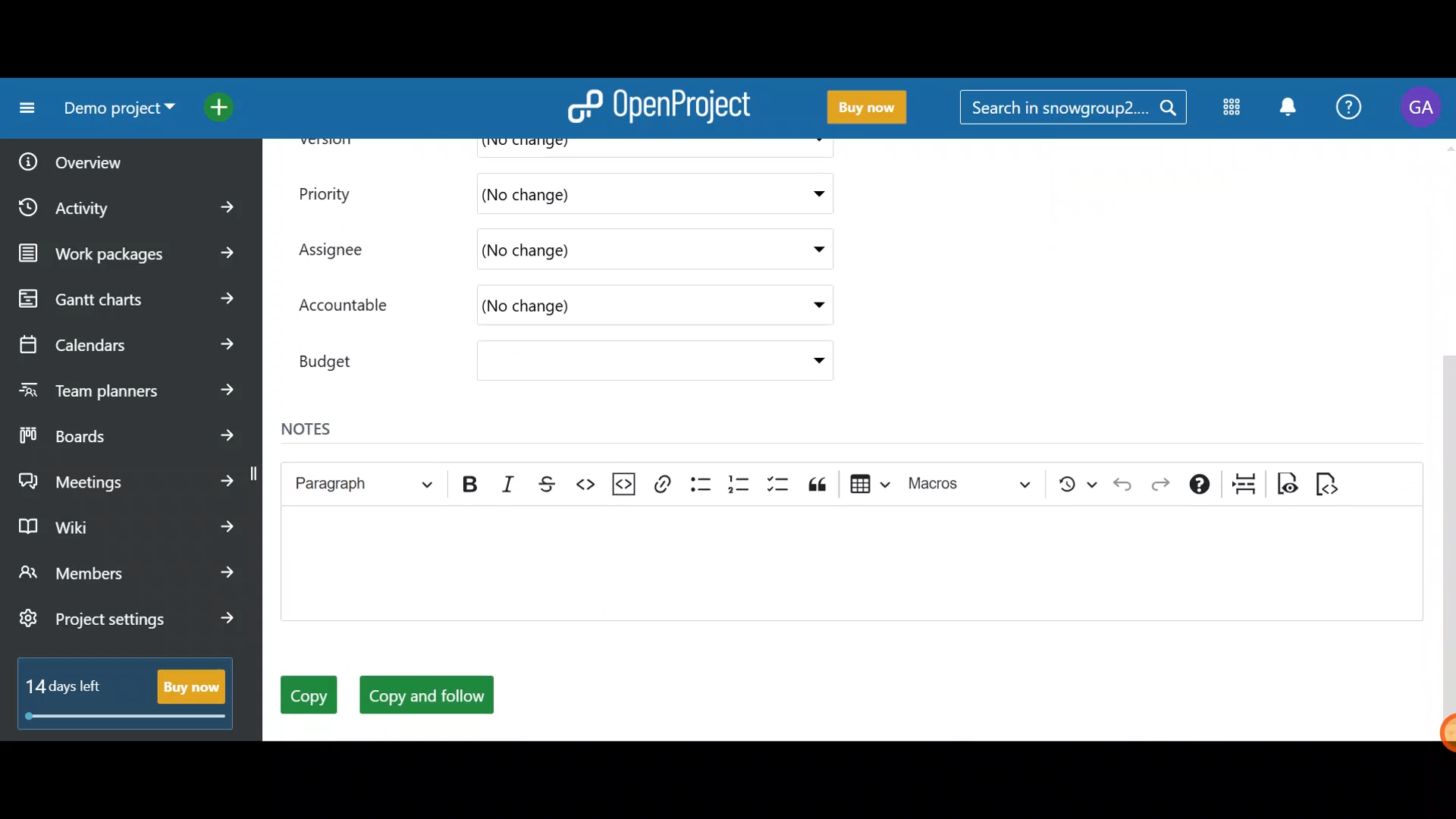 This screenshot has width=1456, height=819. I want to click on Priority, so click(336, 193).